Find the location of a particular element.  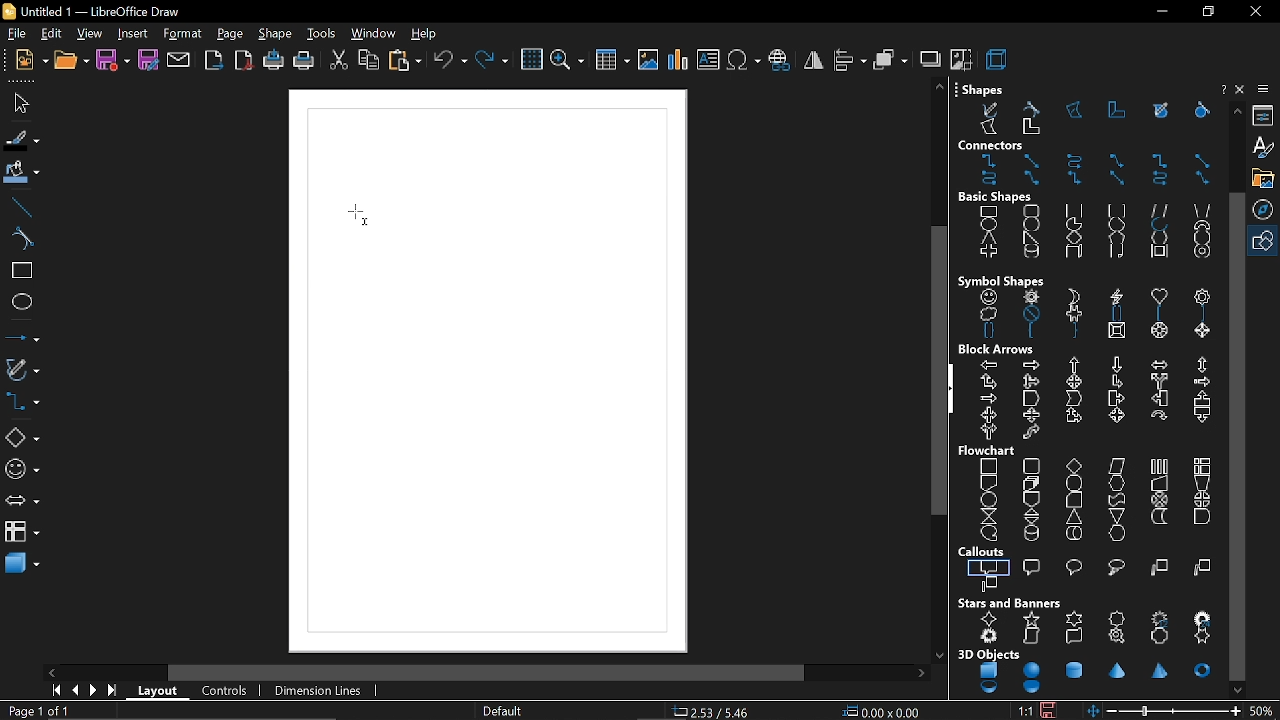

insert text is located at coordinates (709, 61).